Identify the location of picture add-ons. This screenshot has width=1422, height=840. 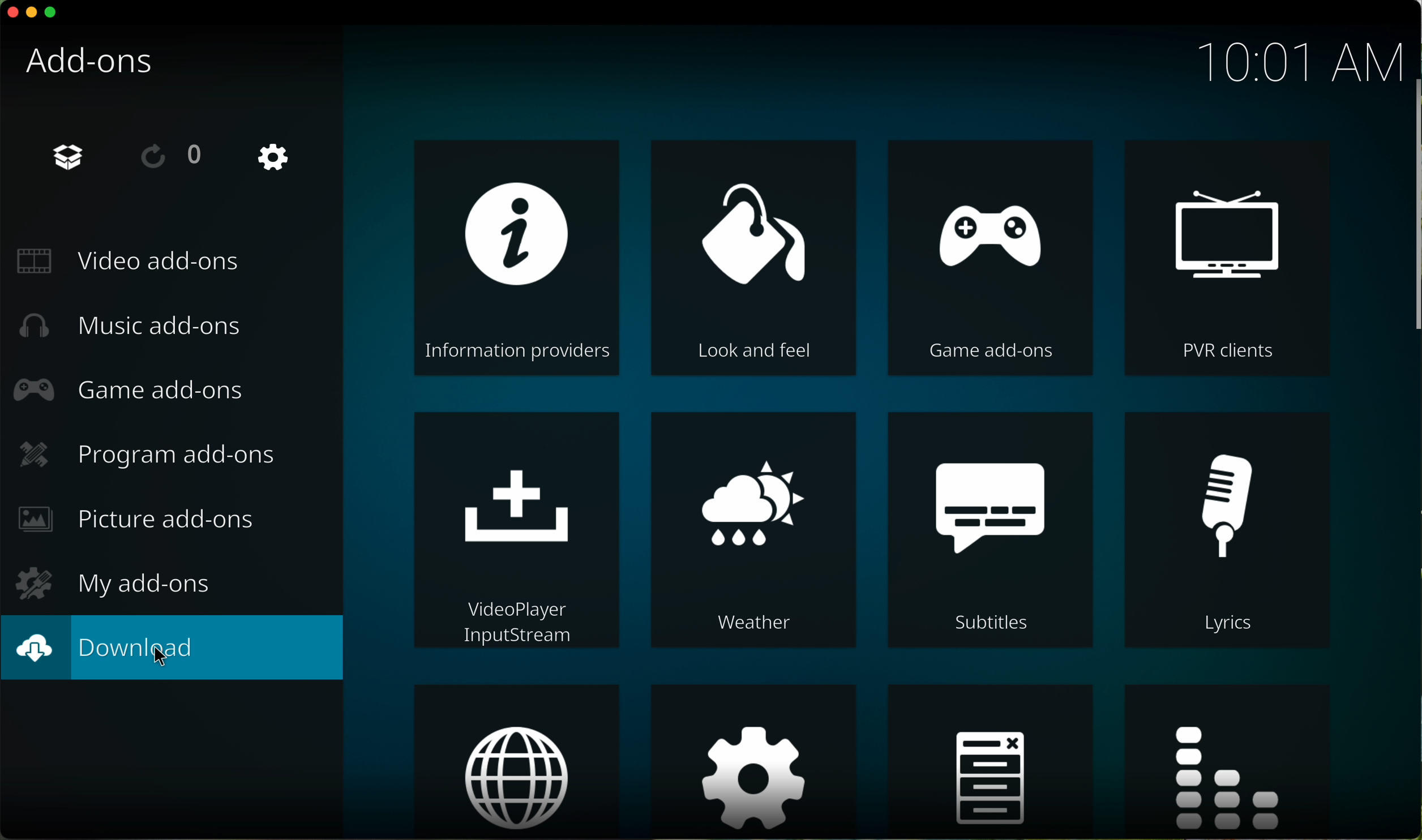
(139, 522).